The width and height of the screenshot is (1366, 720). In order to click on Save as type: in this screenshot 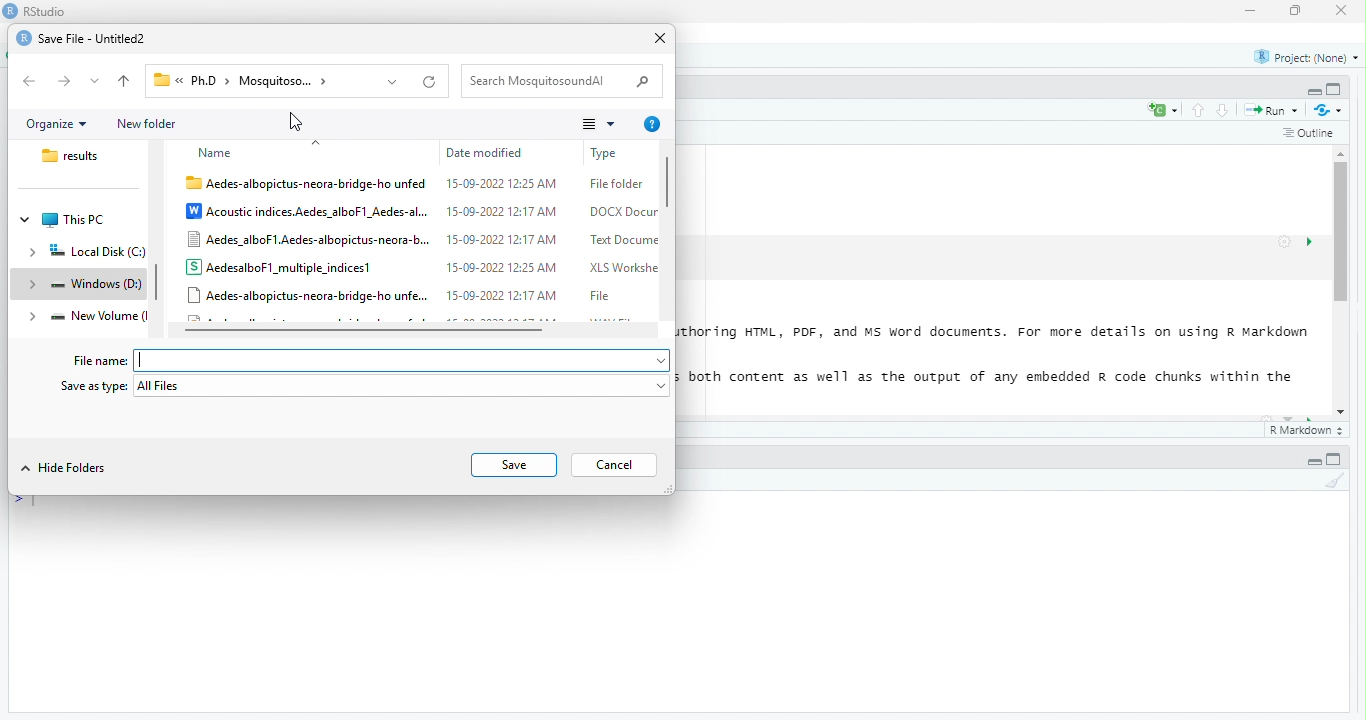, I will do `click(94, 386)`.